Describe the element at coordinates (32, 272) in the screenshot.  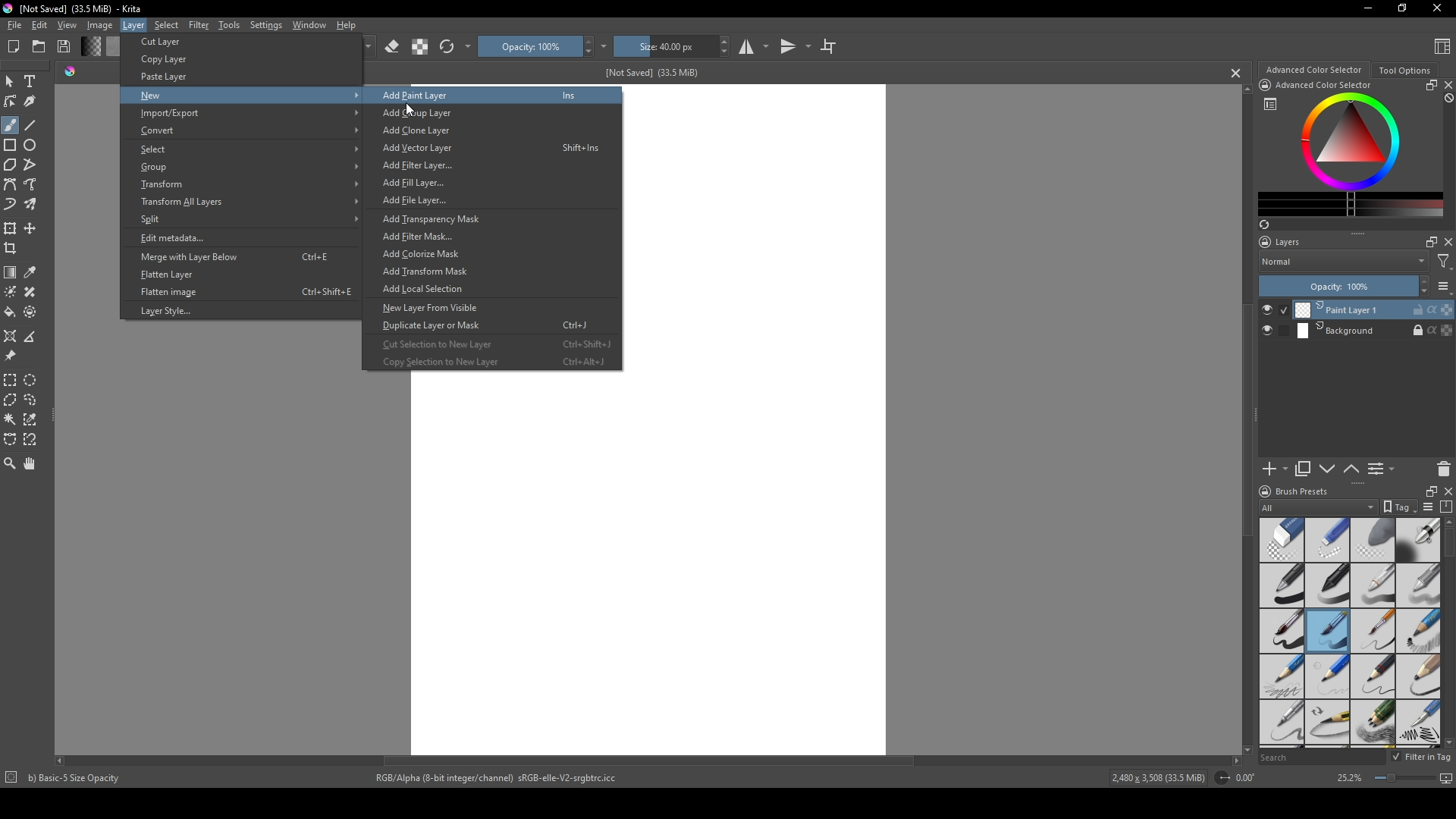
I see `eyedropper` at that location.